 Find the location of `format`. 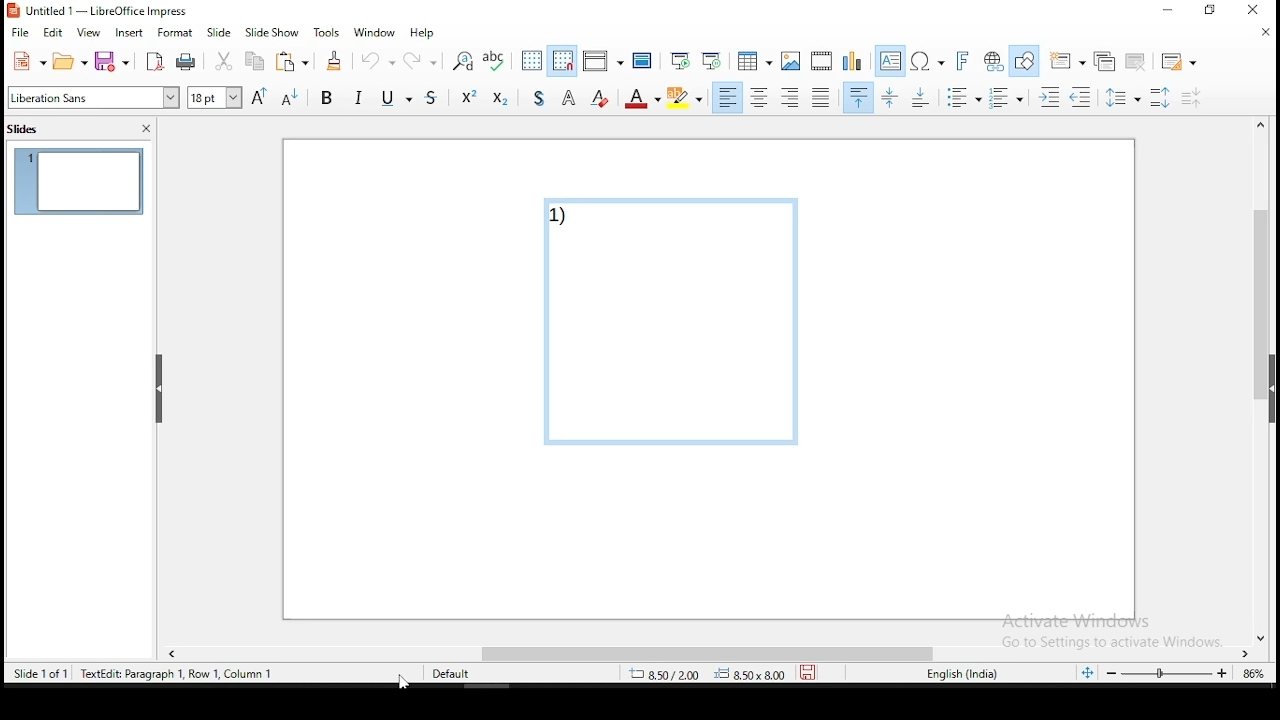

format is located at coordinates (175, 35).